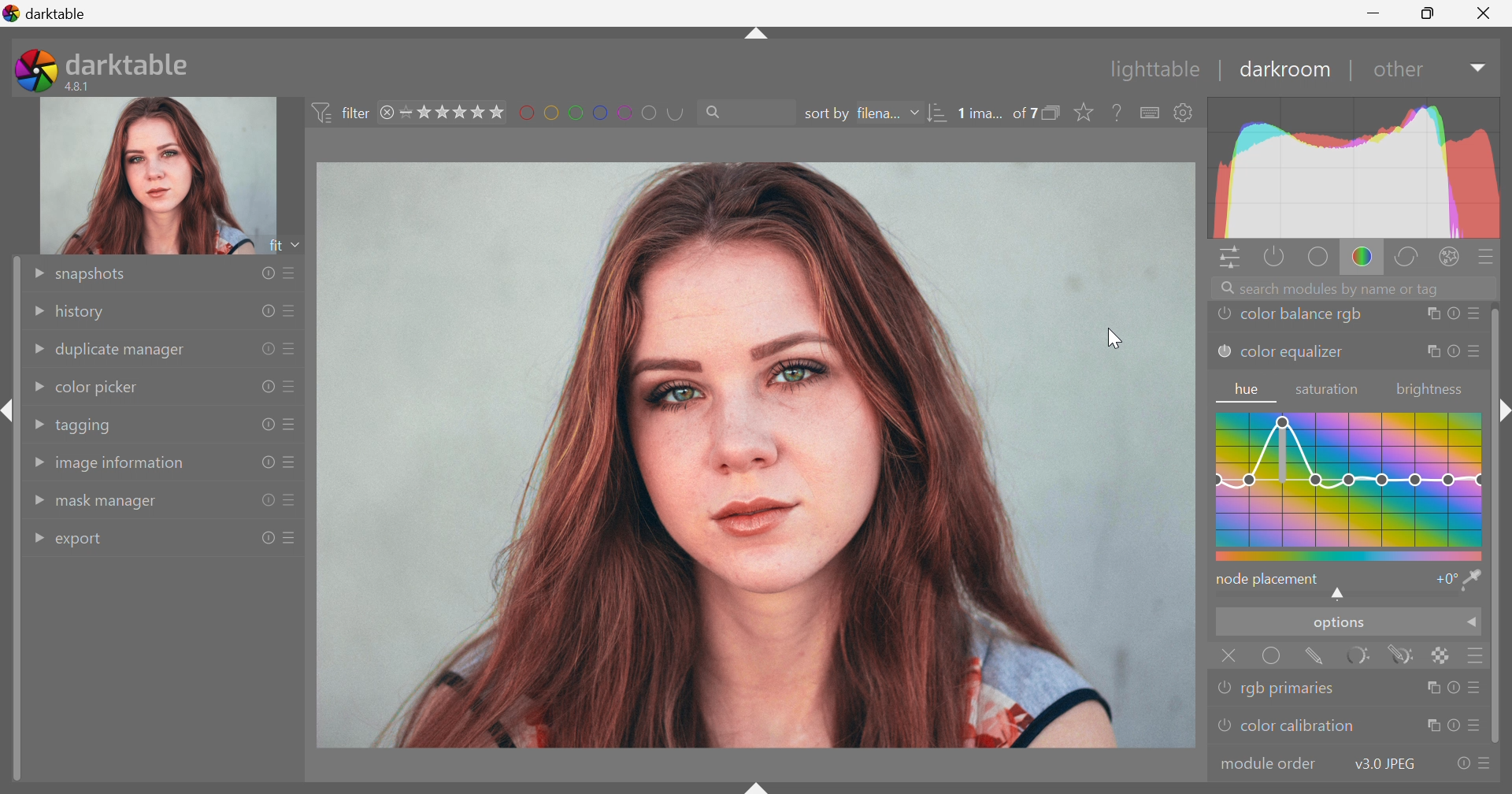 Image resolution: width=1512 pixels, height=794 pixels. What do you see at coordinates (266, 423) in the screenshot?
I see `reset` at bounding box center [266, 423].